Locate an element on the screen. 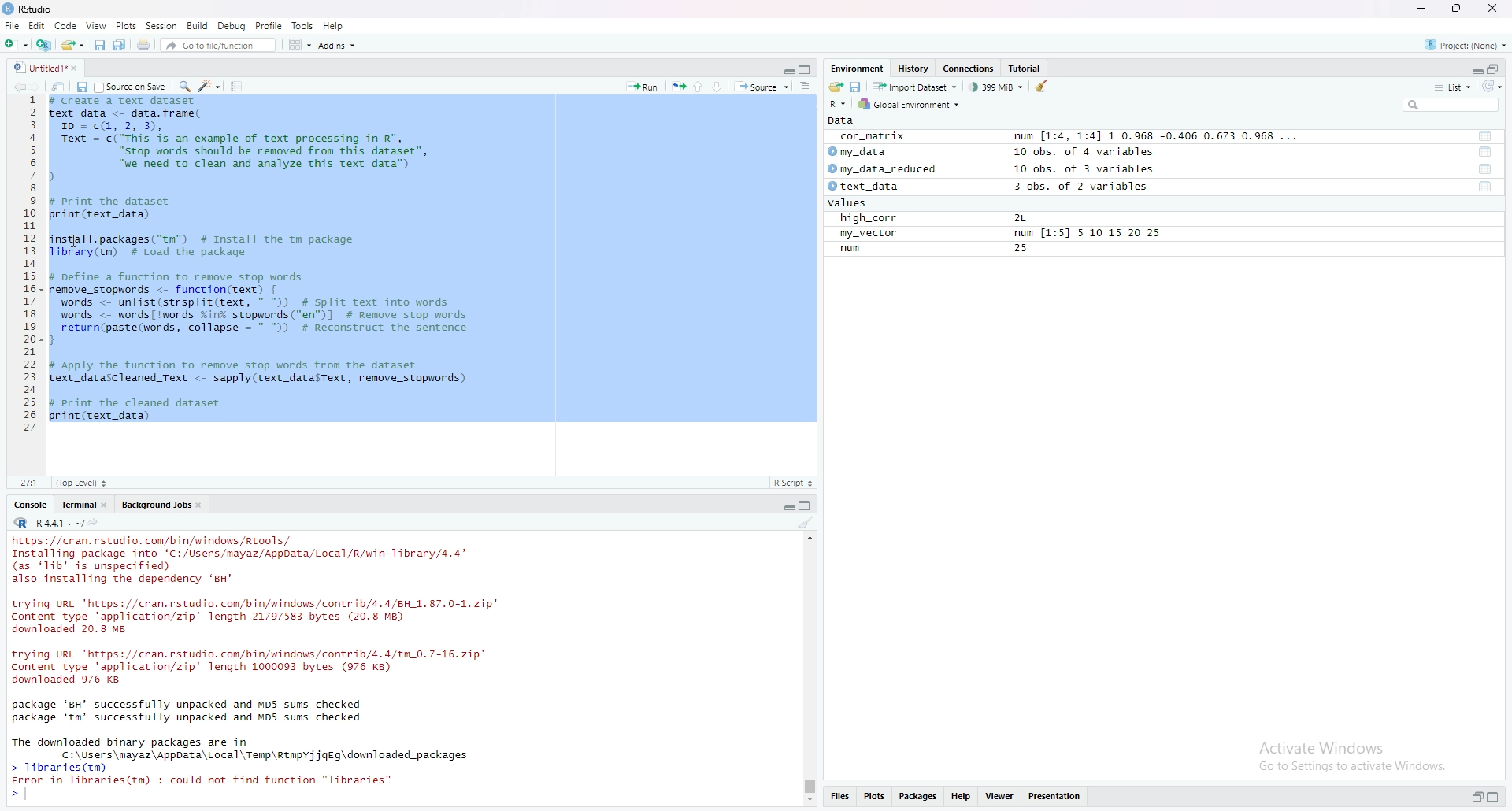 Image resolution: width=1512 pixels, height=811 pixels. num [1:5] 5 10 15 20 25 is located at coordinates (1089, 233).